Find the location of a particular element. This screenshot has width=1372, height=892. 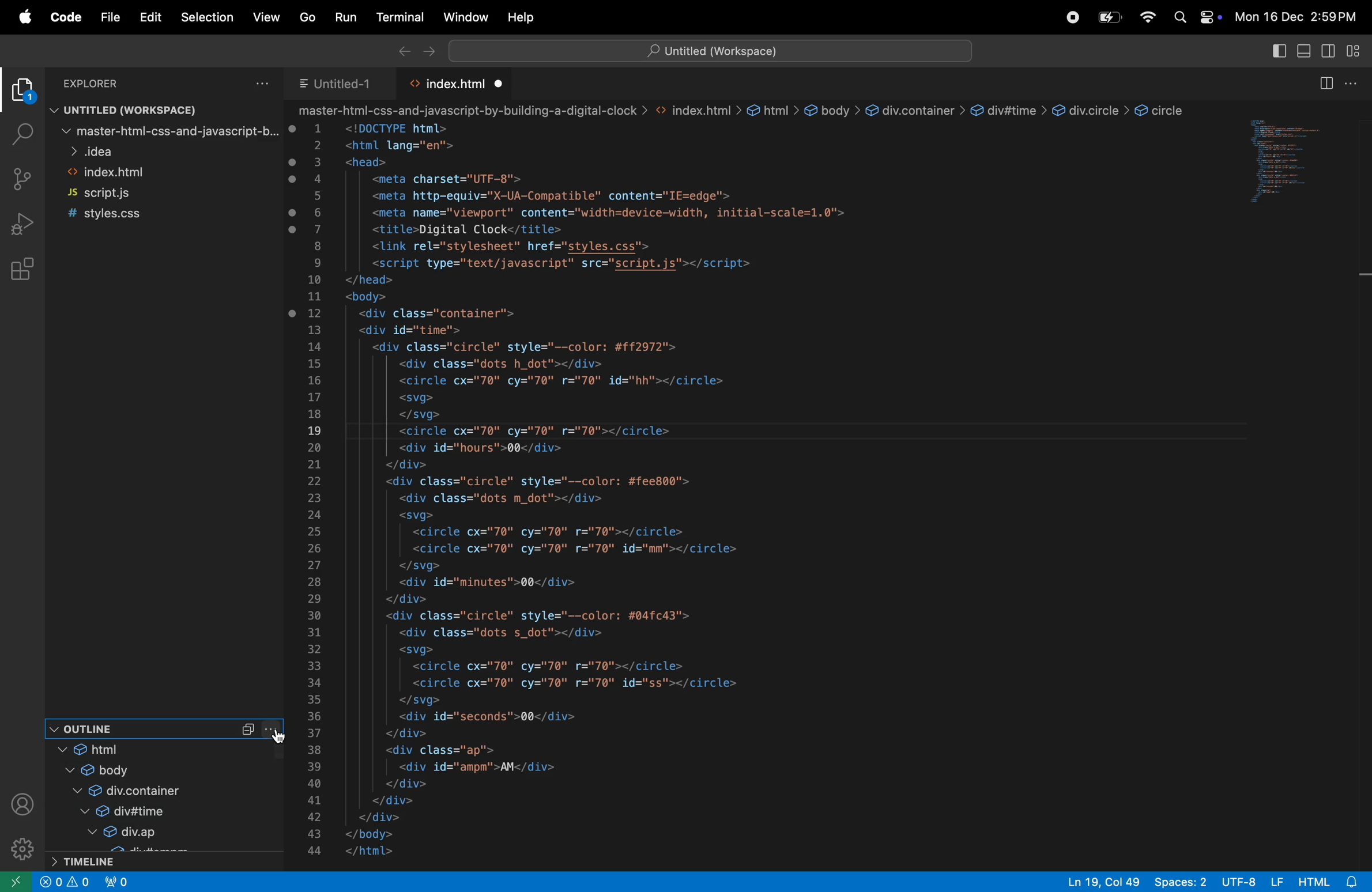

file is located at coordinates (107, 18).